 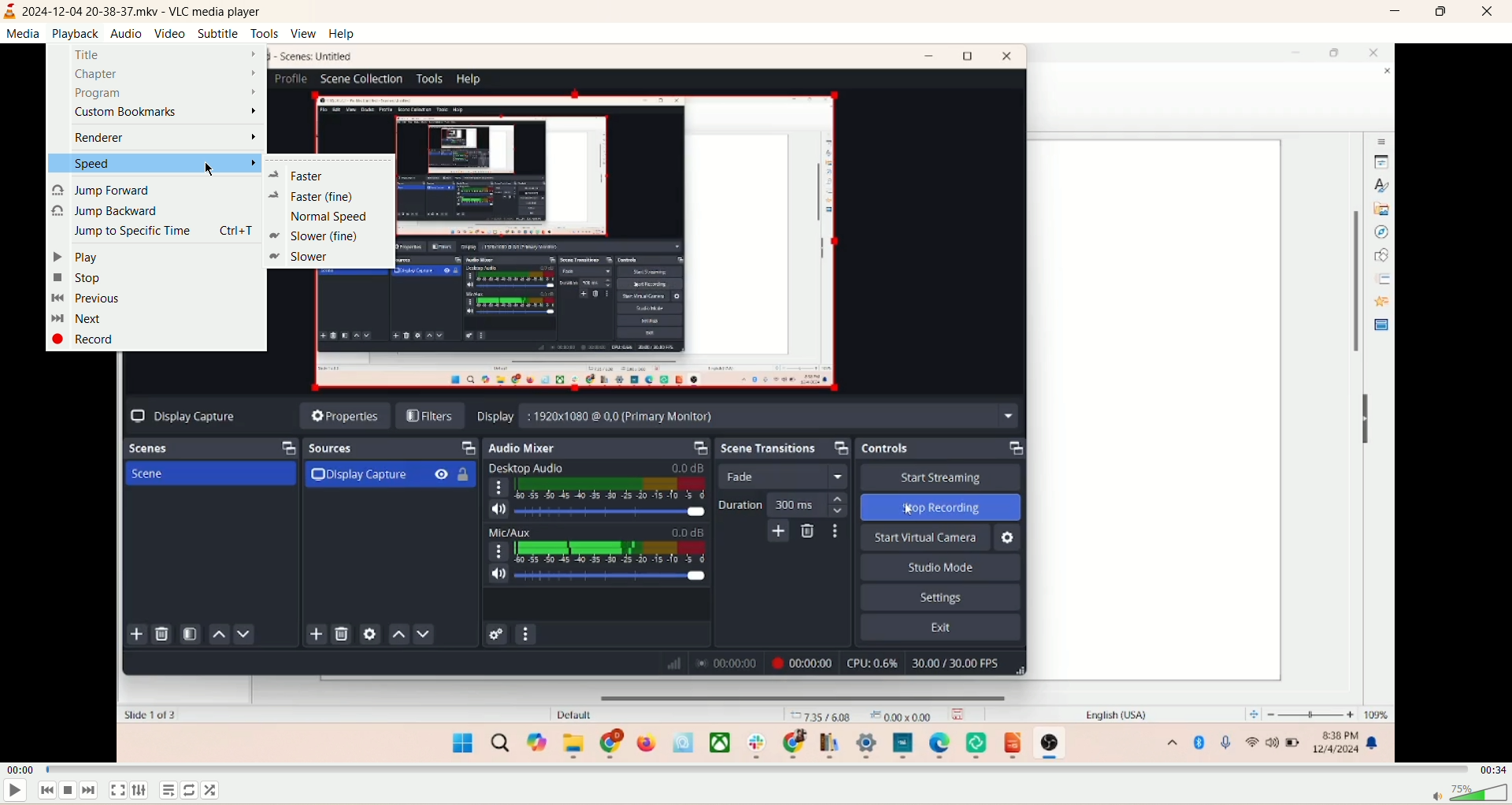 What do you see at coordinates (119, 790) in the screenshot?
I see `fullscreen` at bounding box center [119, 790].